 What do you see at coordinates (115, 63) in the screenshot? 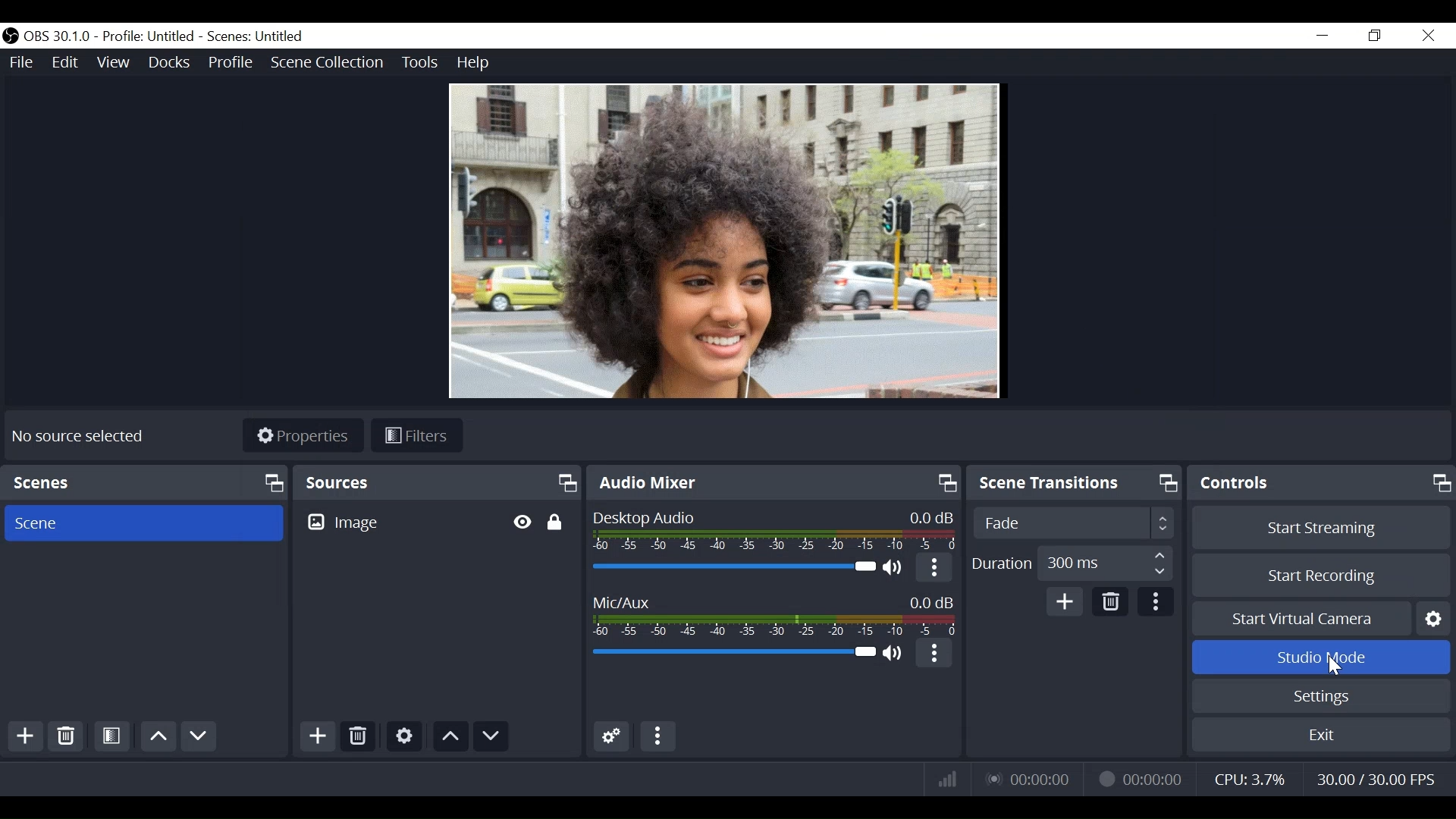
I see `View` at bounding box center [115, 63].